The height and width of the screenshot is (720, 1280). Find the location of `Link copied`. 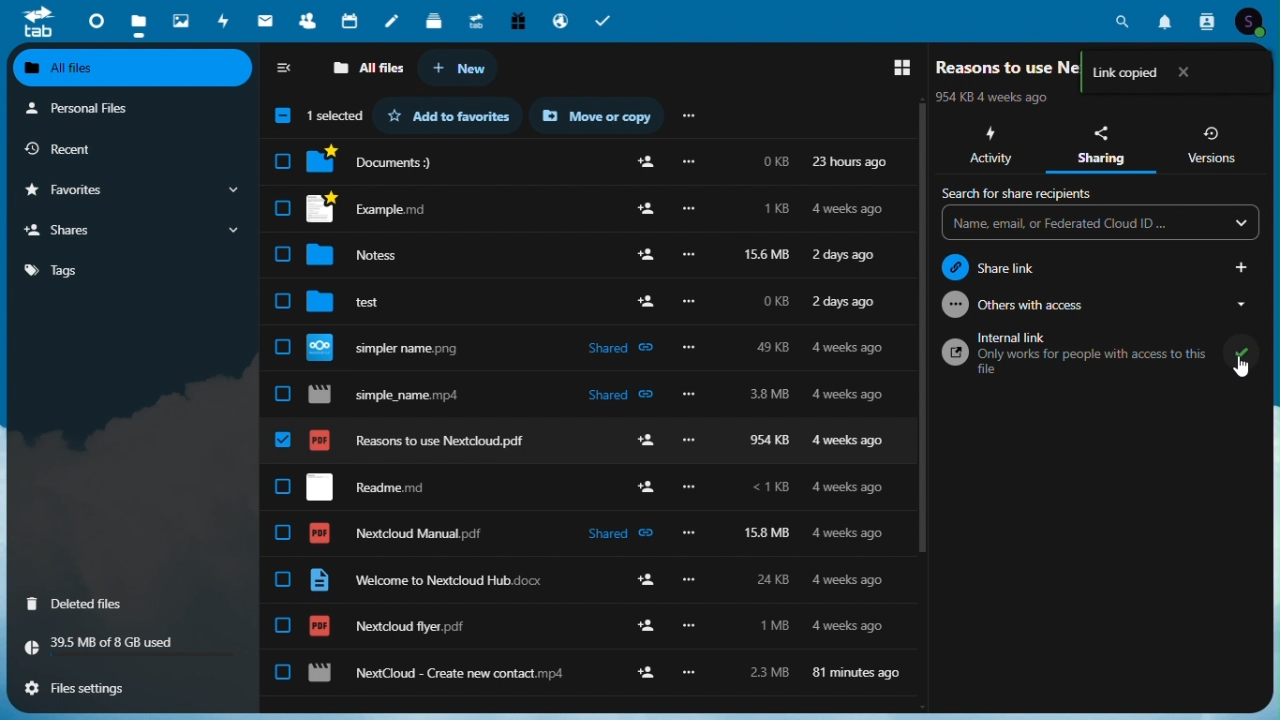

Link copied is located at coordinates (1122, 72).